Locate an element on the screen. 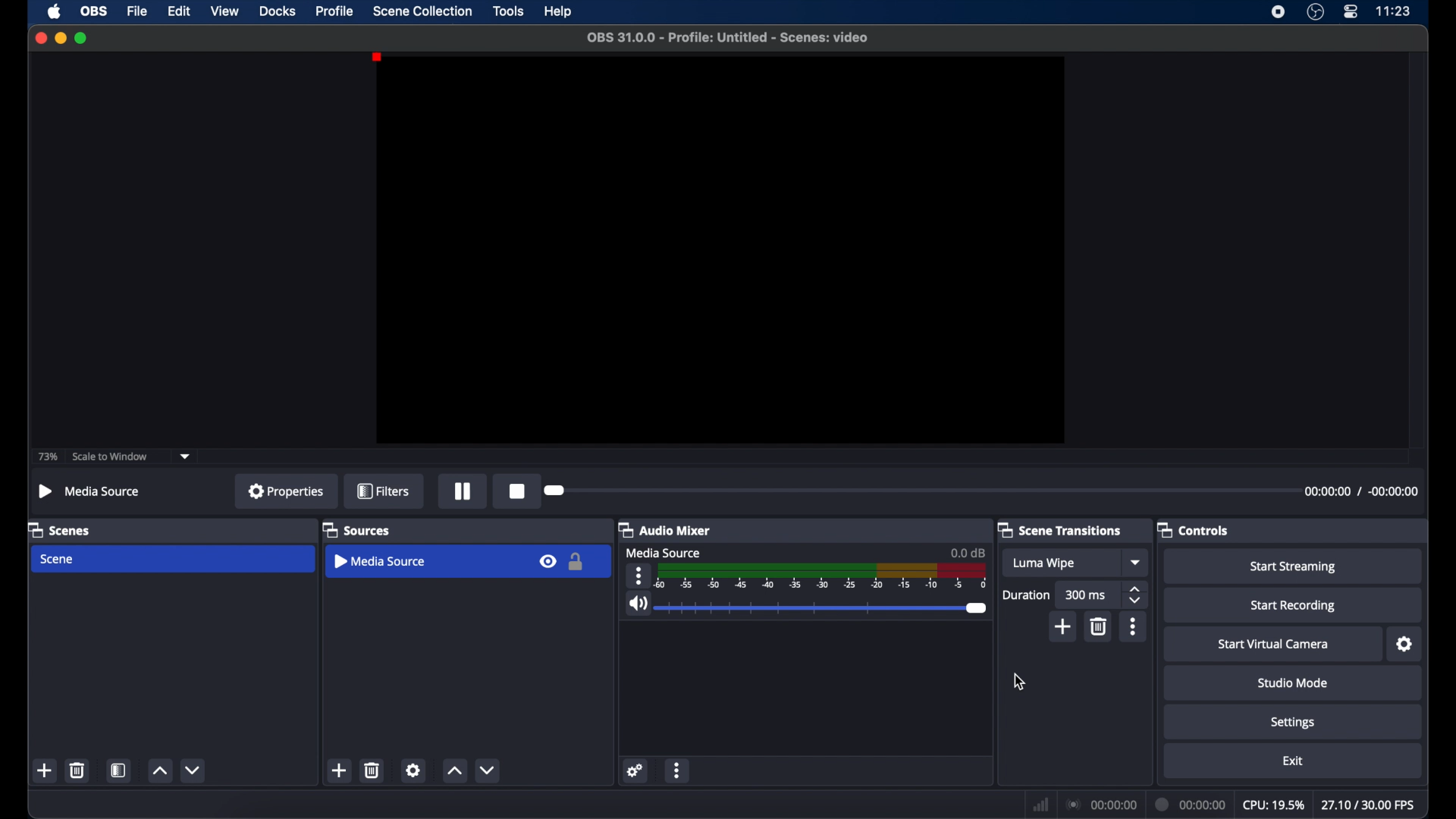 This screenshot has height=819, width=1456. start virtual camera is located at coordinates (1273, 645).